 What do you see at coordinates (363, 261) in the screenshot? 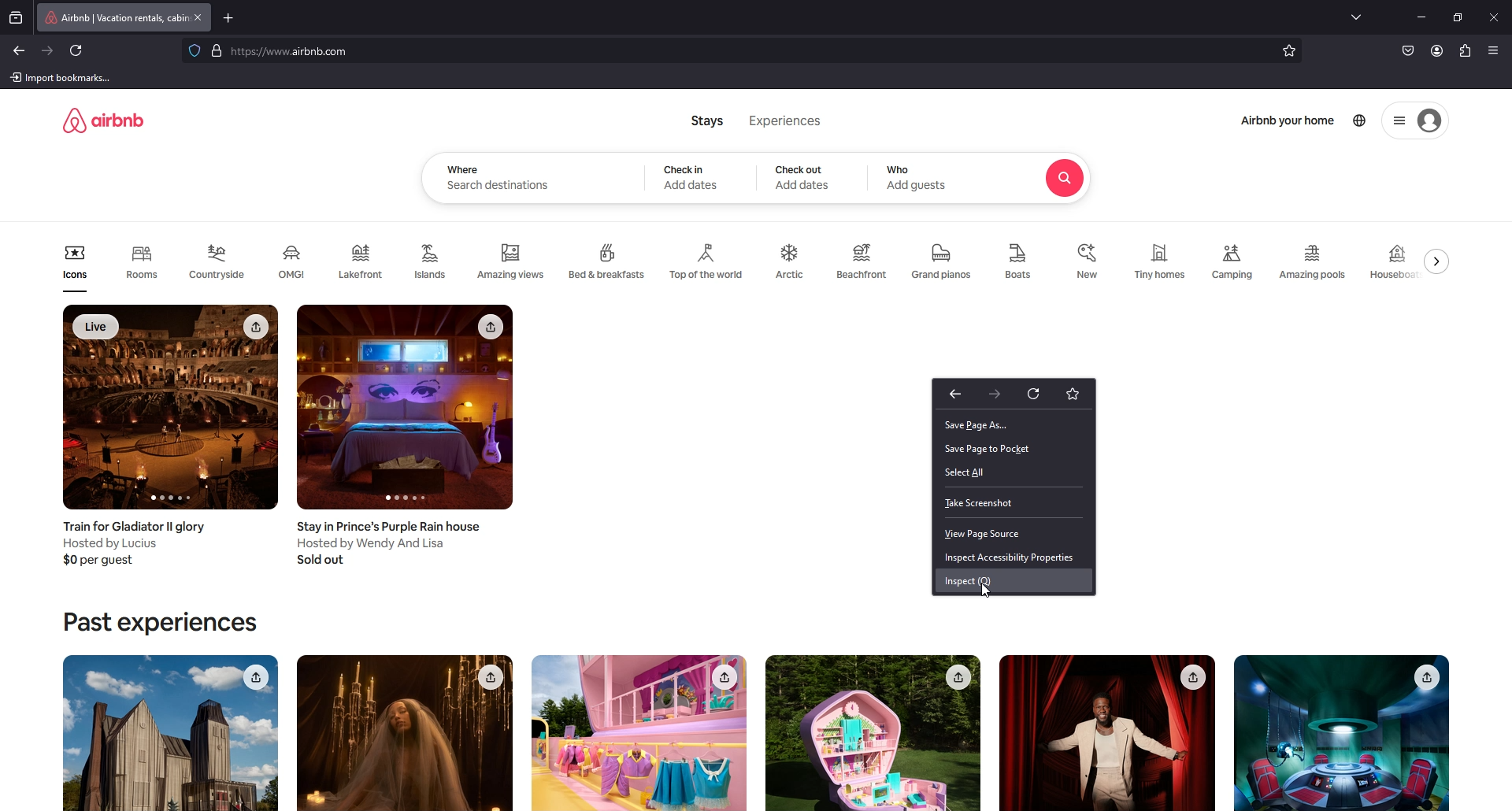
I see `Lakefront` at bounding box center [363, 261].